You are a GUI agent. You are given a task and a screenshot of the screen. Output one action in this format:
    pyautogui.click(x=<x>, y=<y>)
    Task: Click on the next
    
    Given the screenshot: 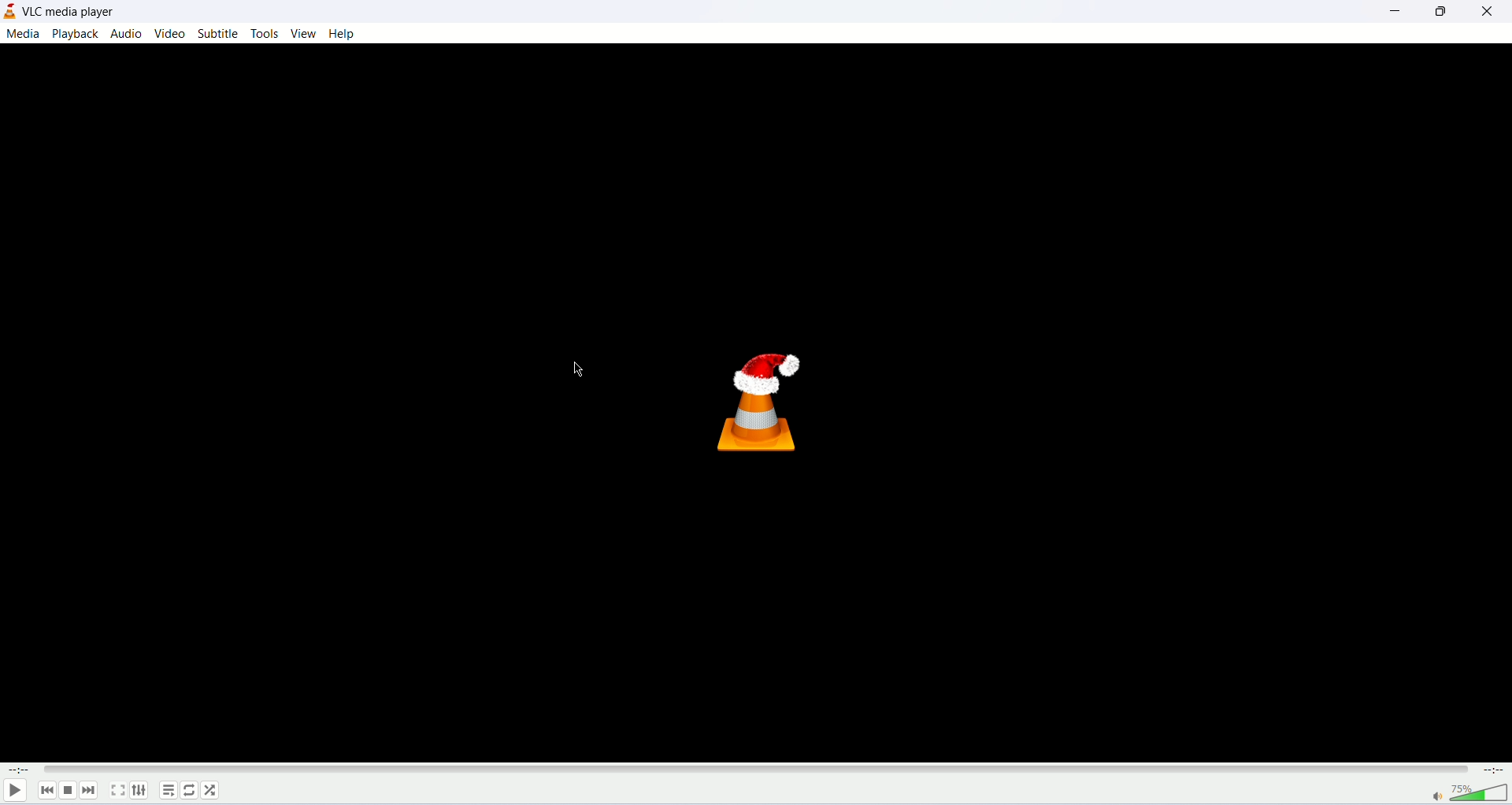 What is the action you would take?
    pyautogui.click(x=92, y=791)
    